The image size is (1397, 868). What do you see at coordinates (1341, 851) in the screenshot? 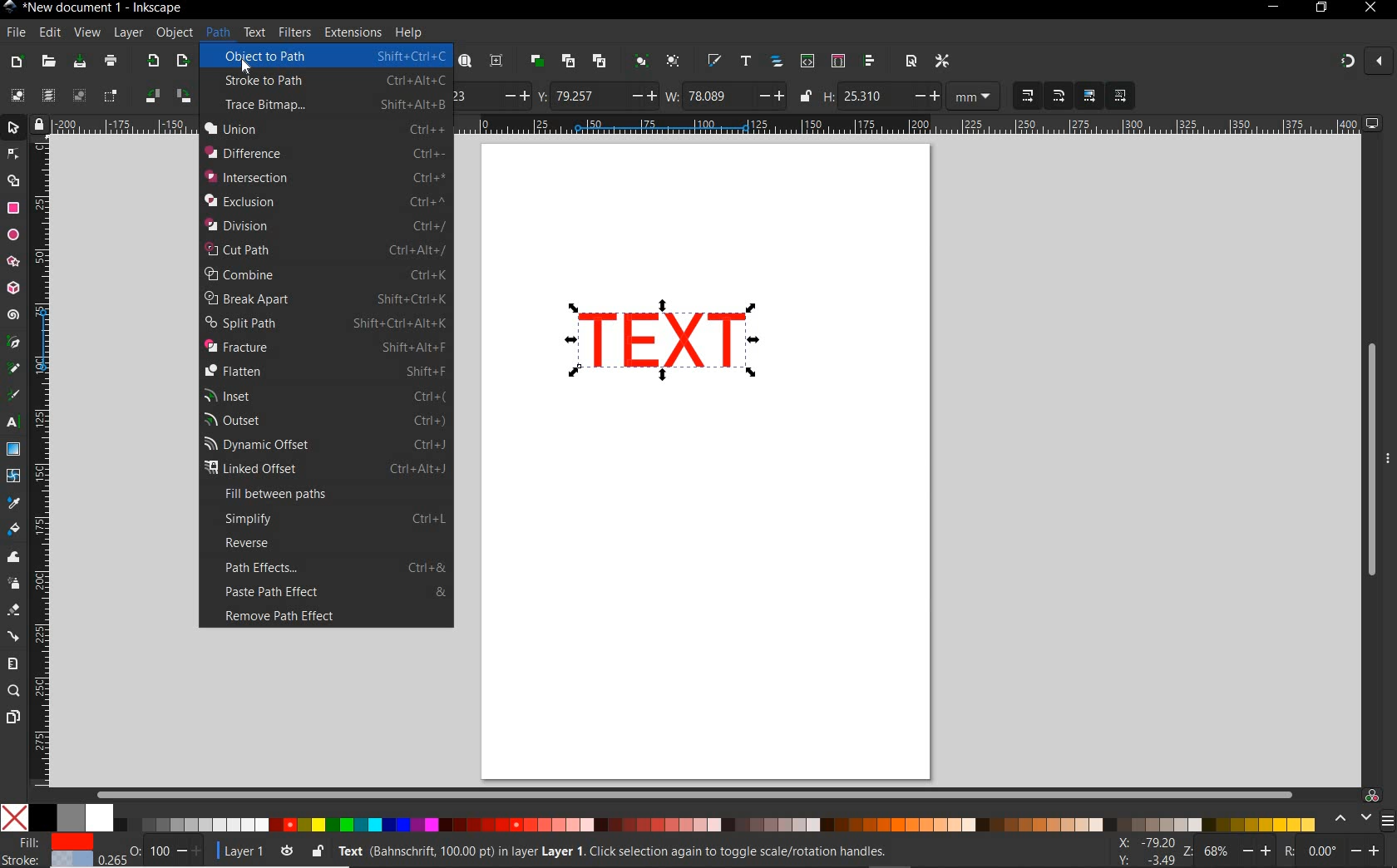
I see `` at bounding box center [1341, 851].